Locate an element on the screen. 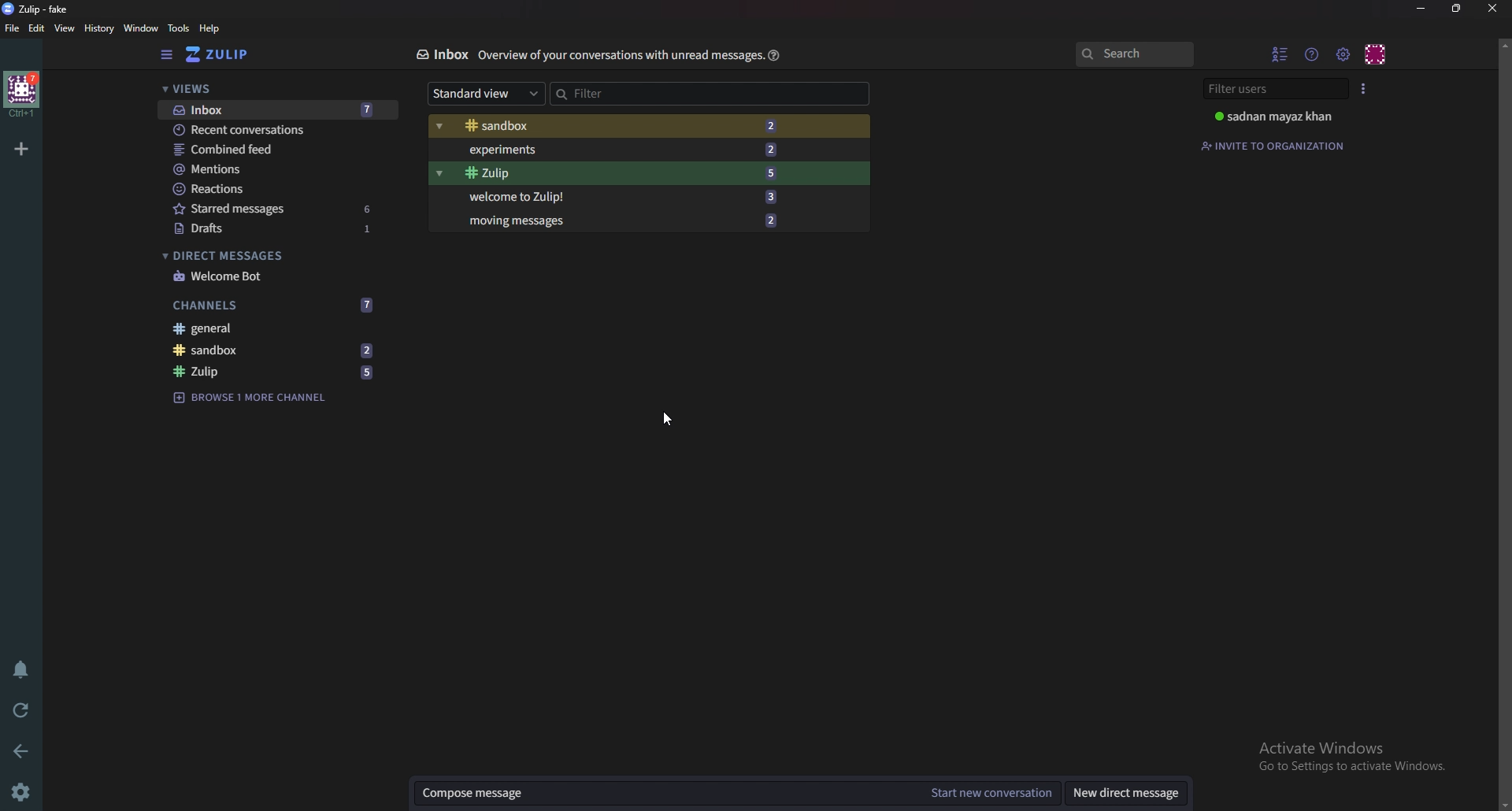  Direct messages is located at coordinates (268, 256).